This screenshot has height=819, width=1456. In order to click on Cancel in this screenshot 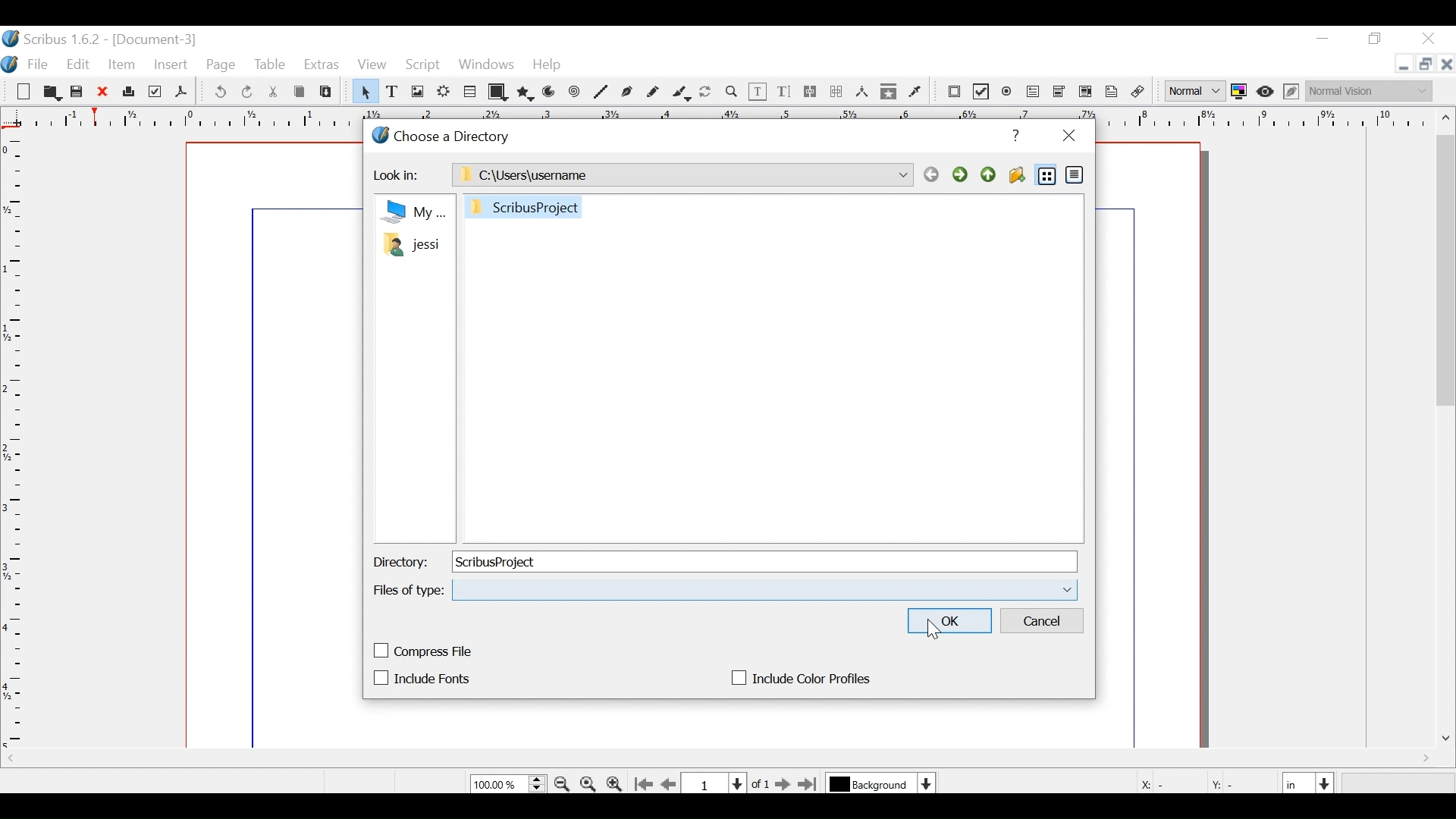, I will do `click(1043, 621)`.